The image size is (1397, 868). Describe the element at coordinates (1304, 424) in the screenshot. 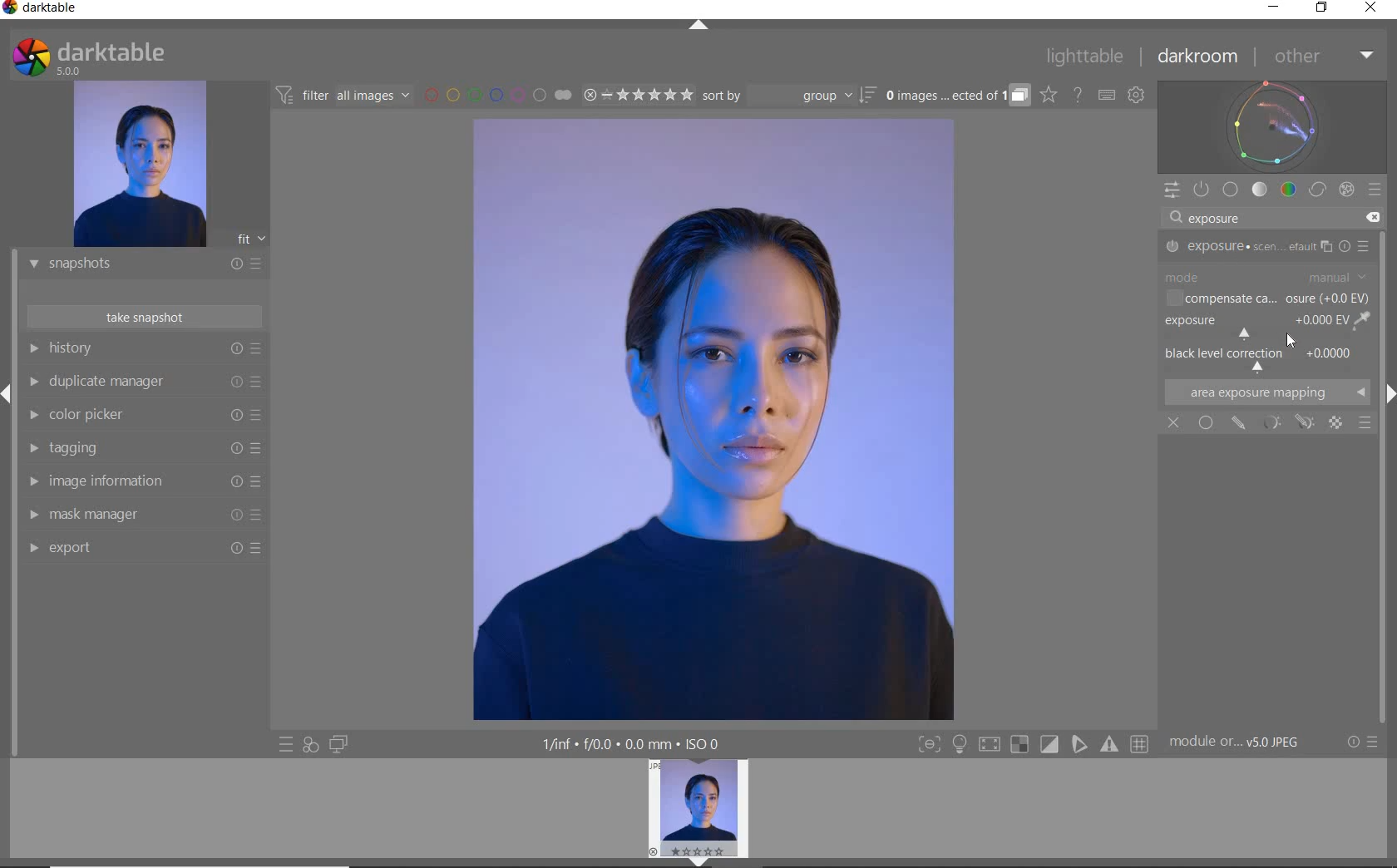

I see `MASK OPTION` at that location.